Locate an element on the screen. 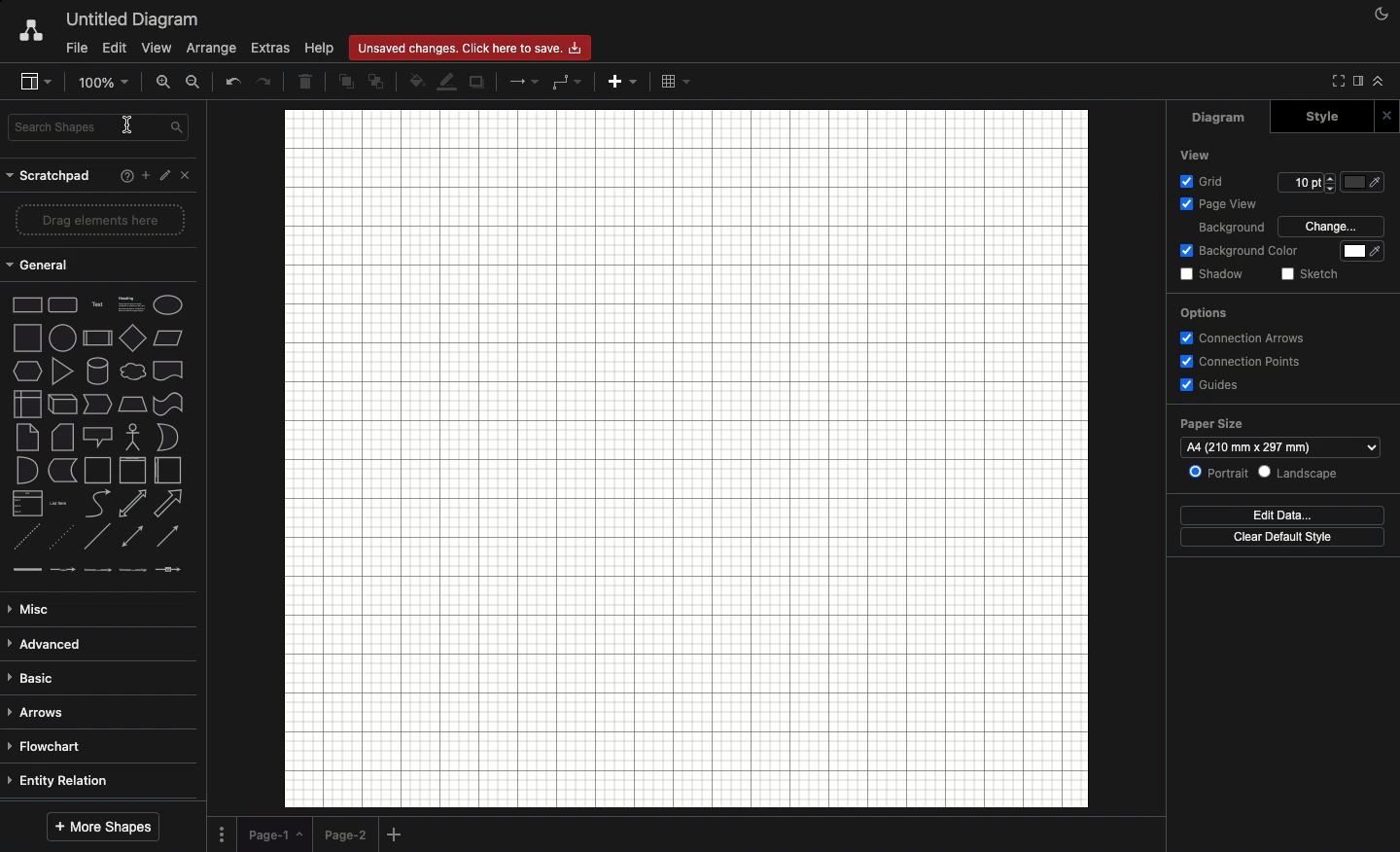 The width and height of the screenshot is (1400, 852). Page 2 is located at coordinates (344, 834).